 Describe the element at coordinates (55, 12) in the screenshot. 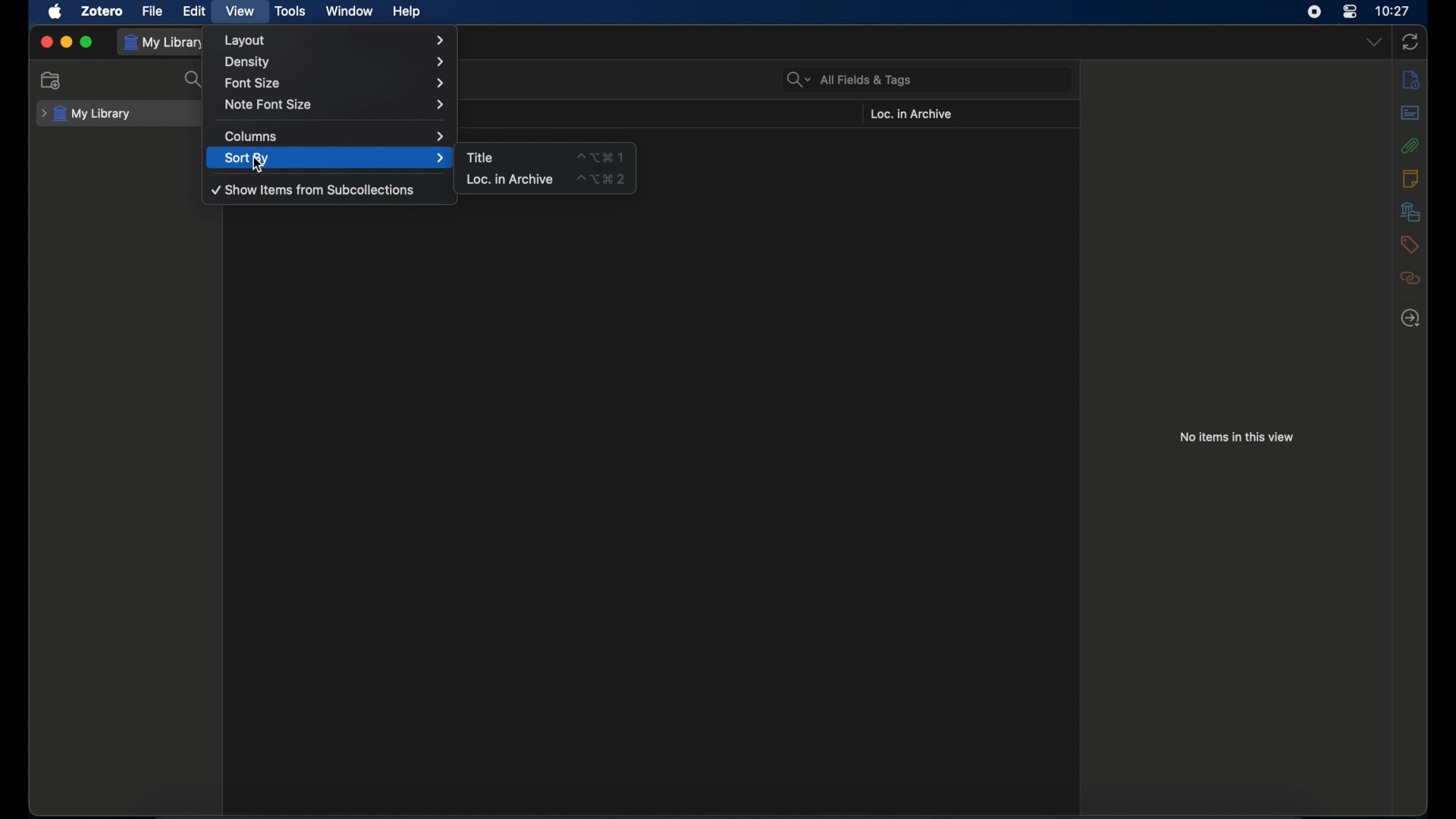

I see `apple` at that location.